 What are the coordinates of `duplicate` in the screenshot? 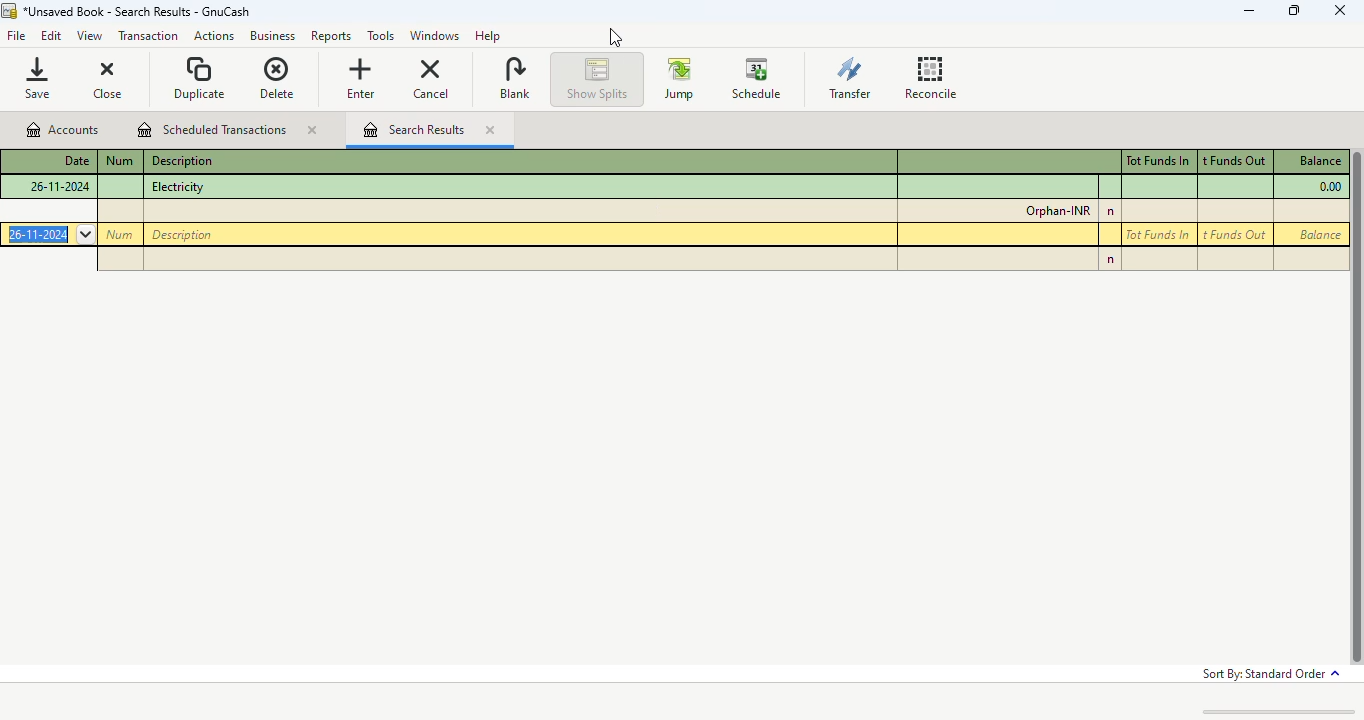 It's located at (200, 78).